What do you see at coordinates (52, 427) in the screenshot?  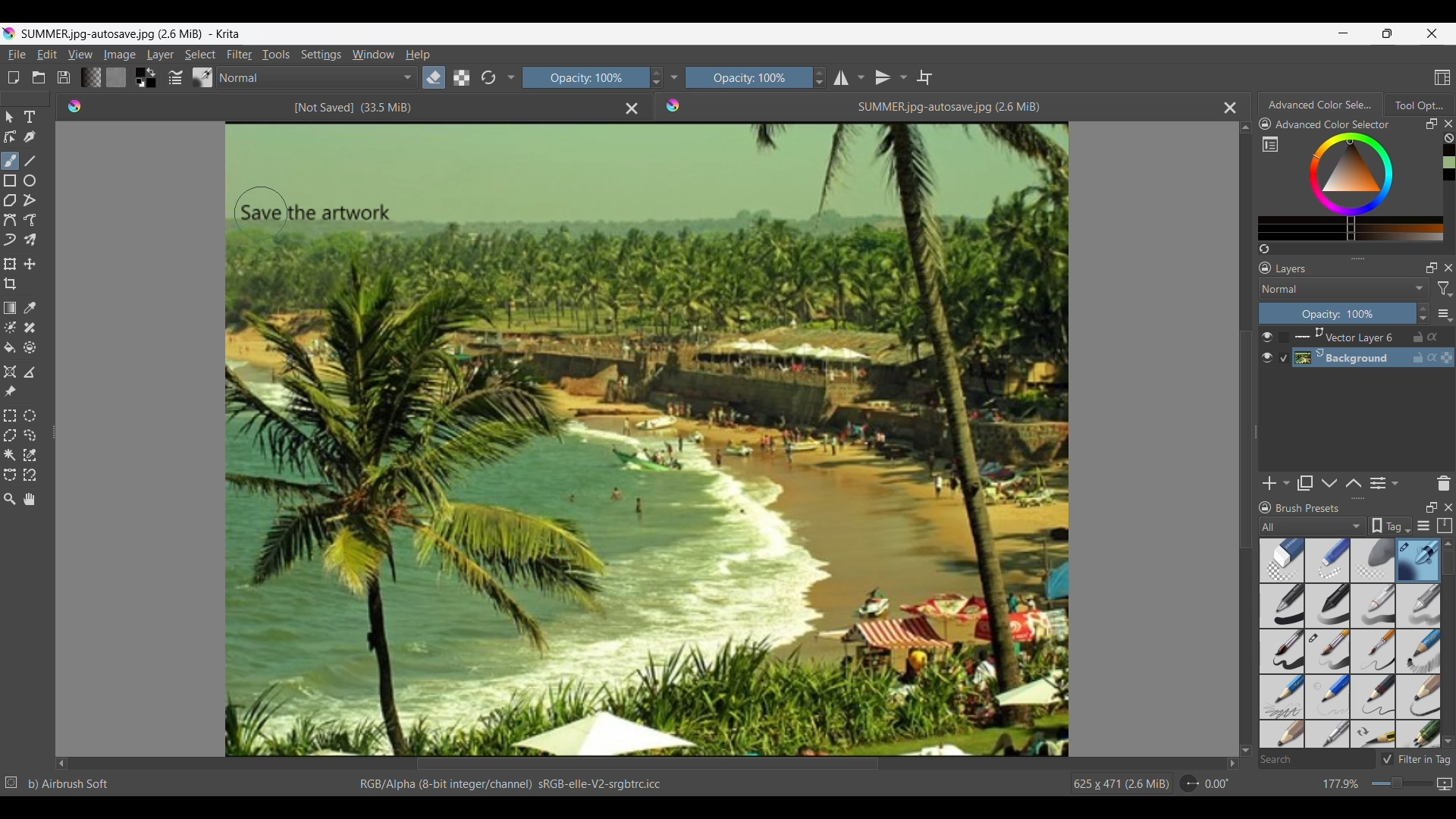 I see `Change width of panels attached to this line` at bounding box center [52, 427].